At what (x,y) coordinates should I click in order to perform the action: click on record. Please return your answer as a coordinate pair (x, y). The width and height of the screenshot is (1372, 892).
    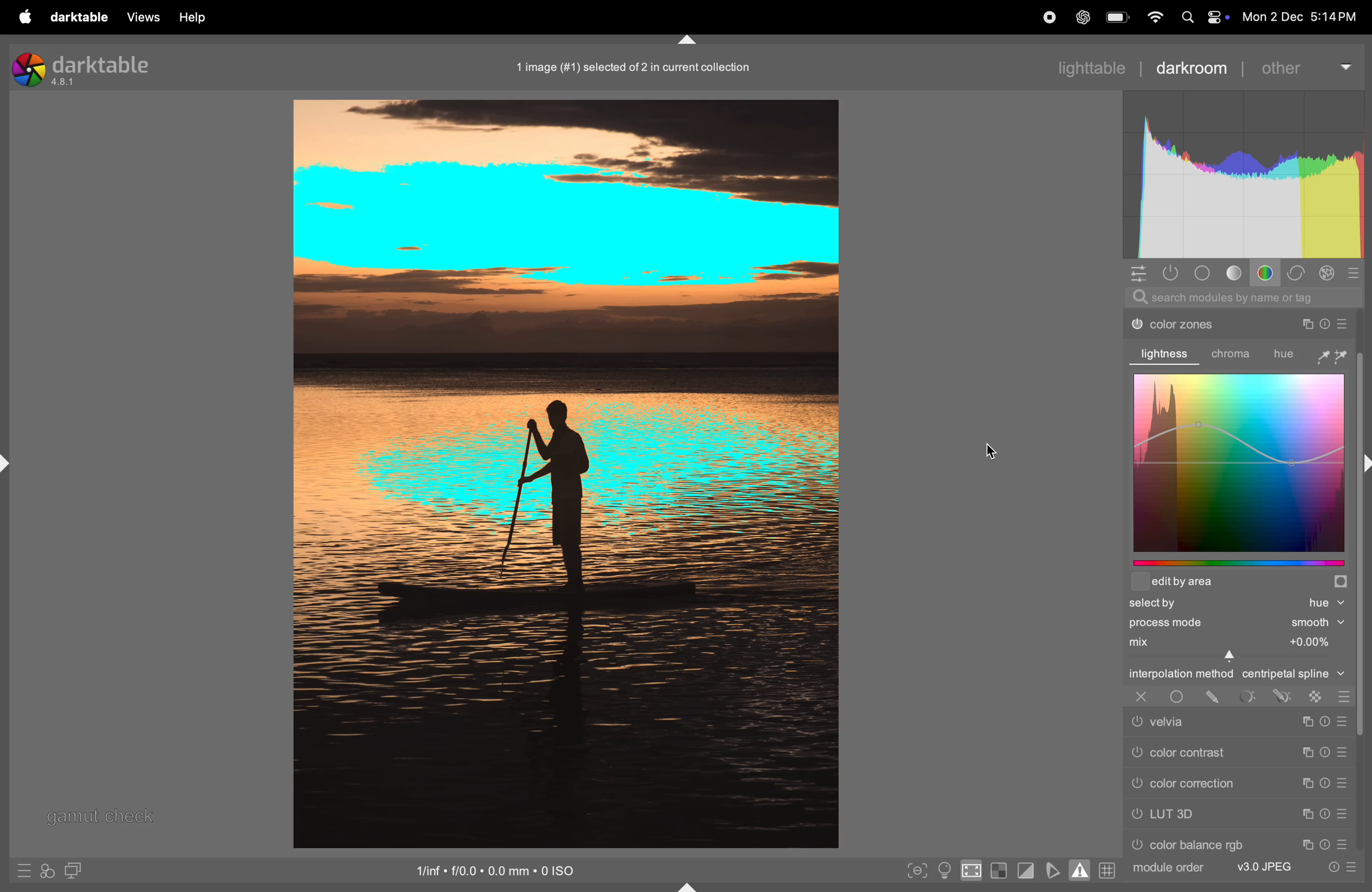
    Looking at the image, I should click on (1049, 20).